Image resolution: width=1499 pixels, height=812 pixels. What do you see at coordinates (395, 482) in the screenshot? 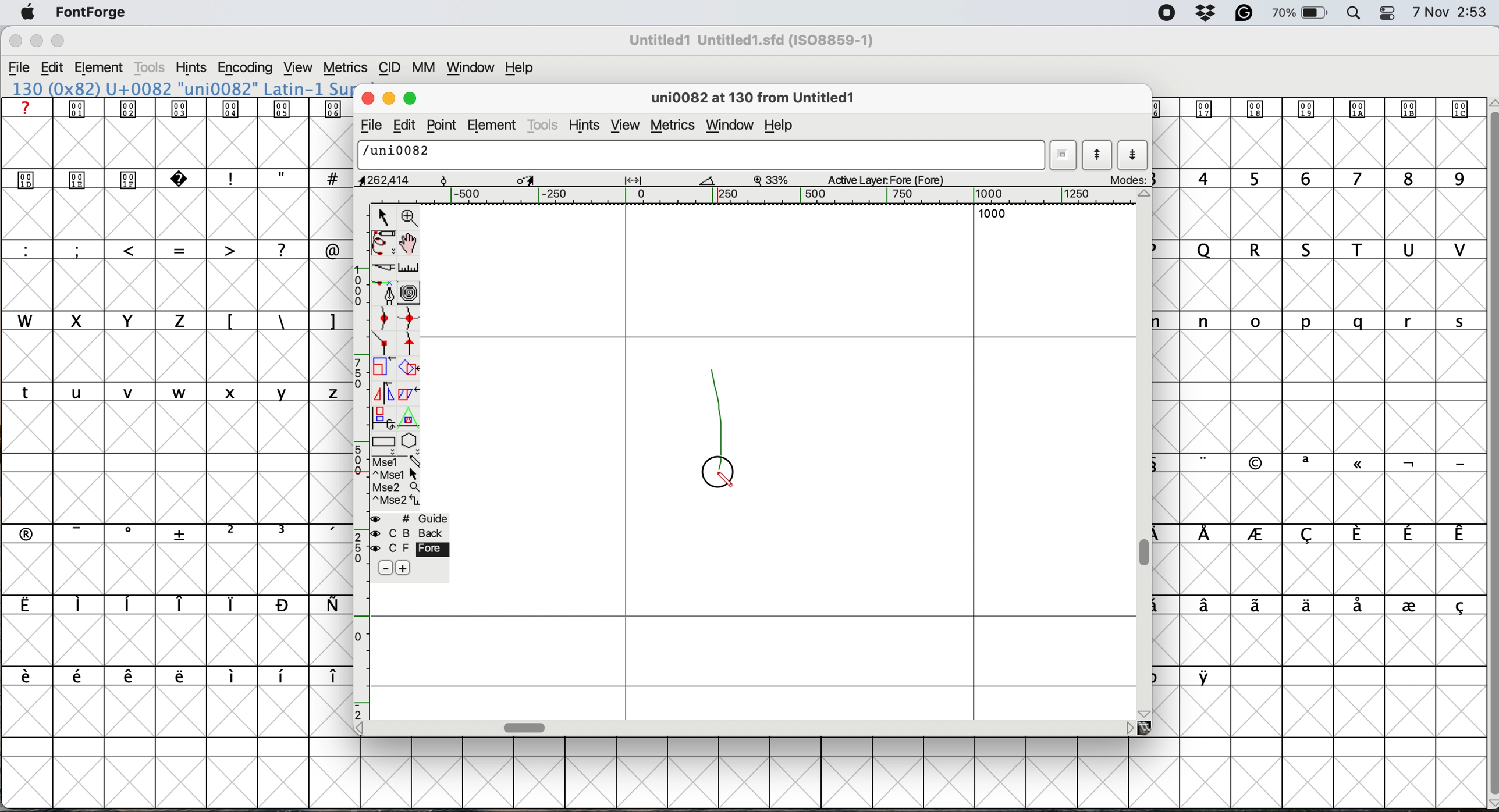
I see `more options` at bounding box center [395, 482].